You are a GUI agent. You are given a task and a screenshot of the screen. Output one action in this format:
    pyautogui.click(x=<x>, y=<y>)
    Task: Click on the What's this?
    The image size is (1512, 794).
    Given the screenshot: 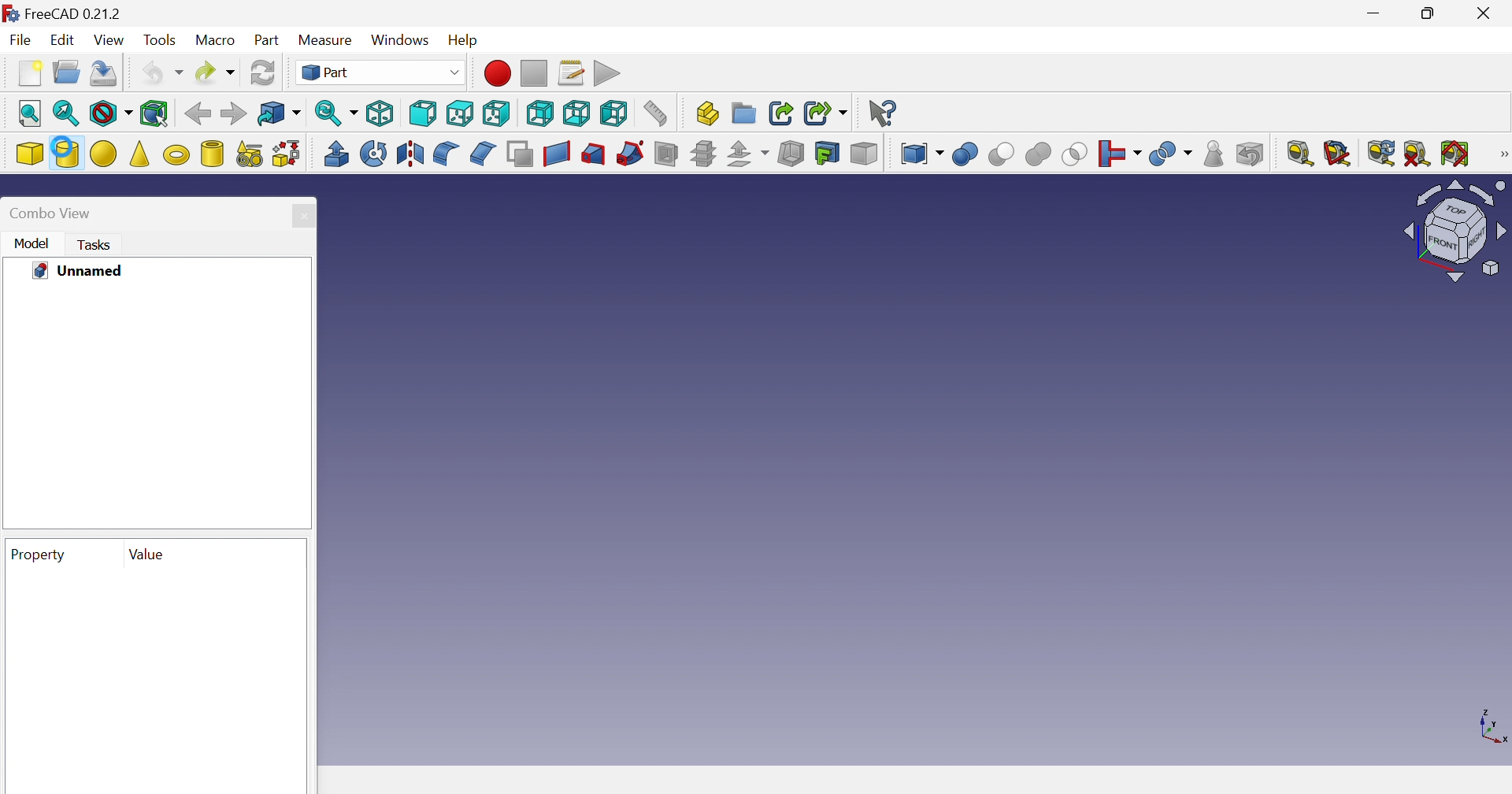 What is the action you would take?
    pyautogui.click(x=884, y=114)
    